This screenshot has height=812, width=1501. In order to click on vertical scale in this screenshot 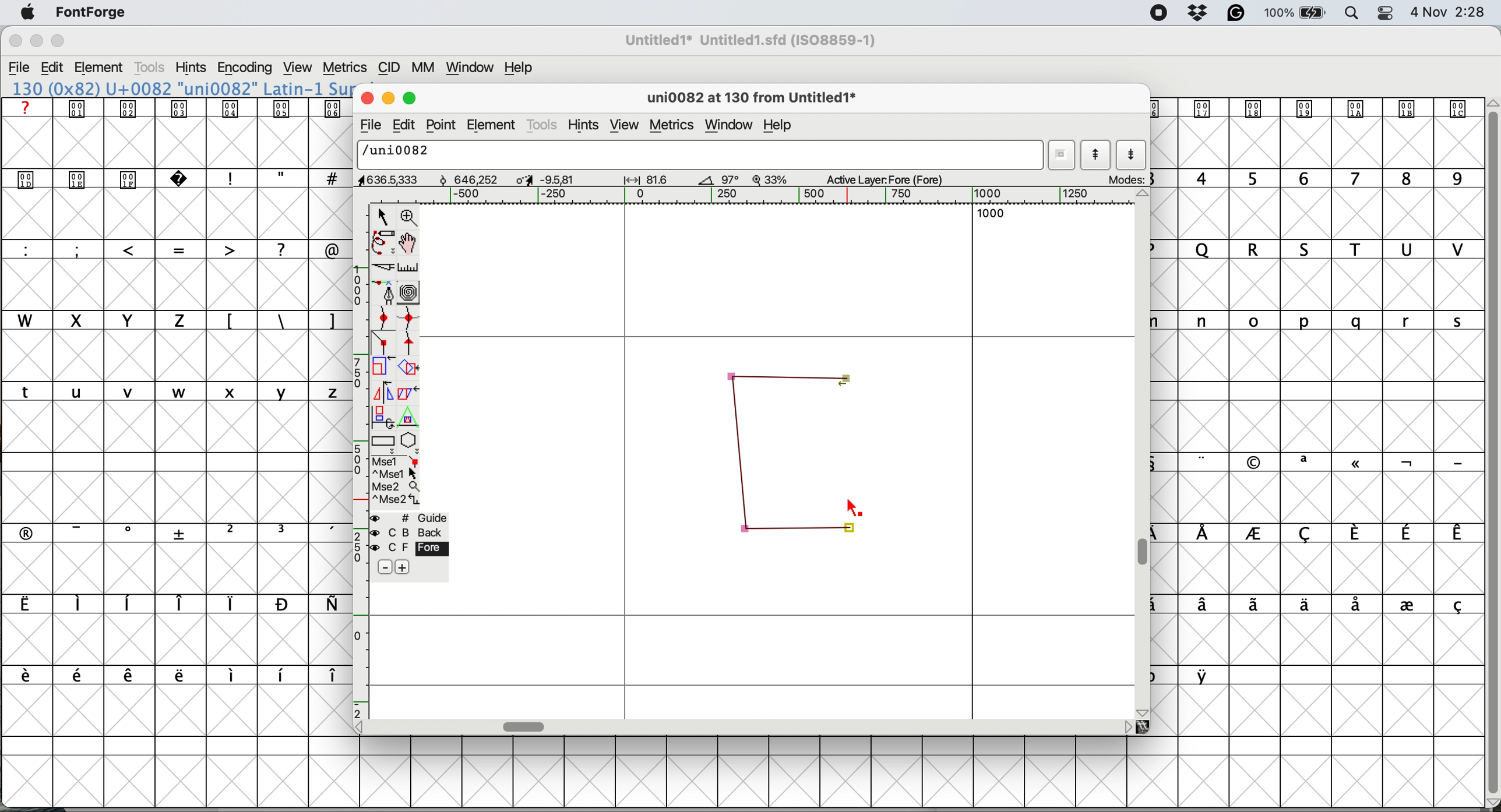, I will do `click(362, 460)`.